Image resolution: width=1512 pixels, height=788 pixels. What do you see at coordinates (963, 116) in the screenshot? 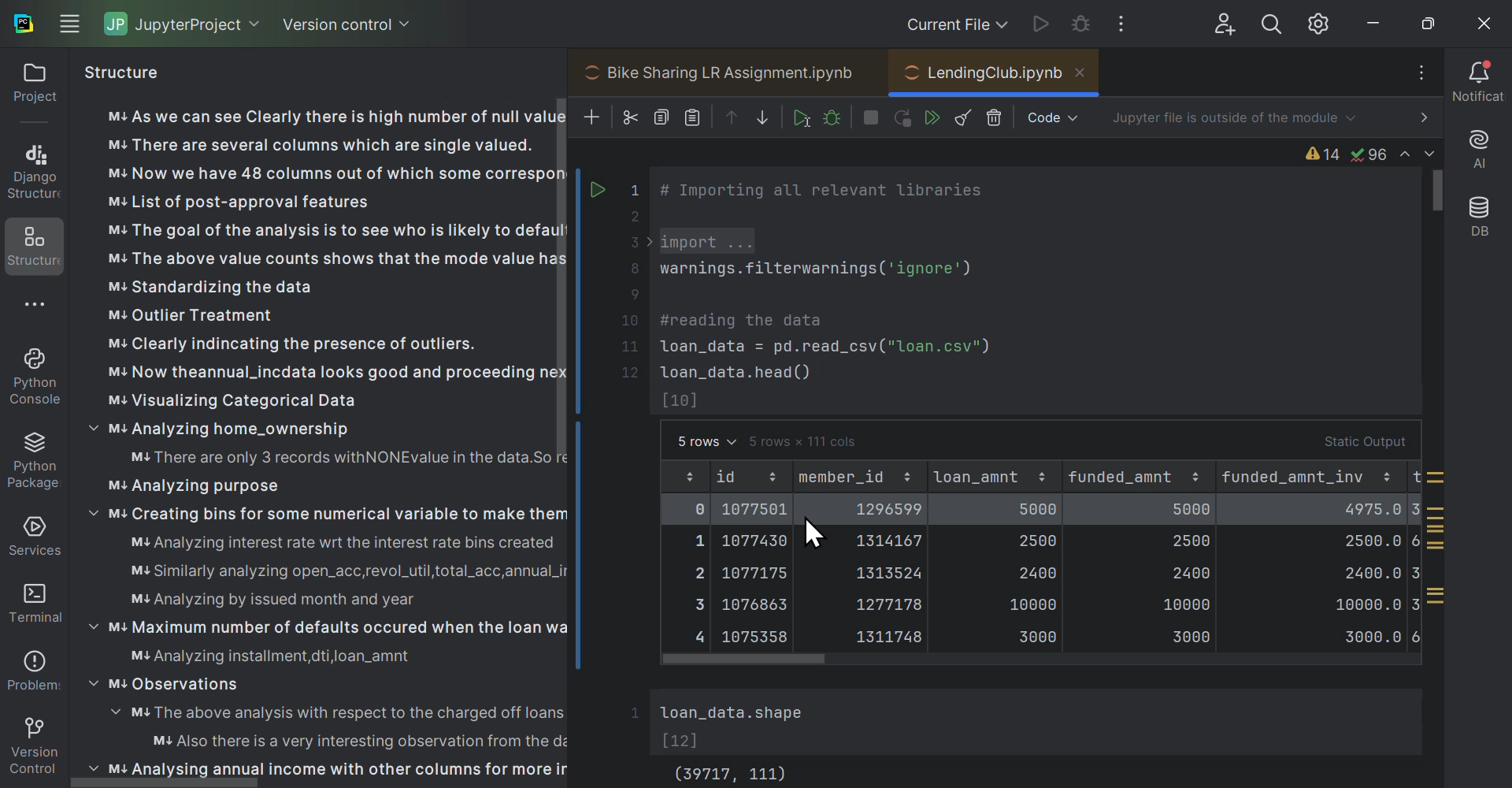
I see `Clear all outputs` at bounding box center [963, 116].